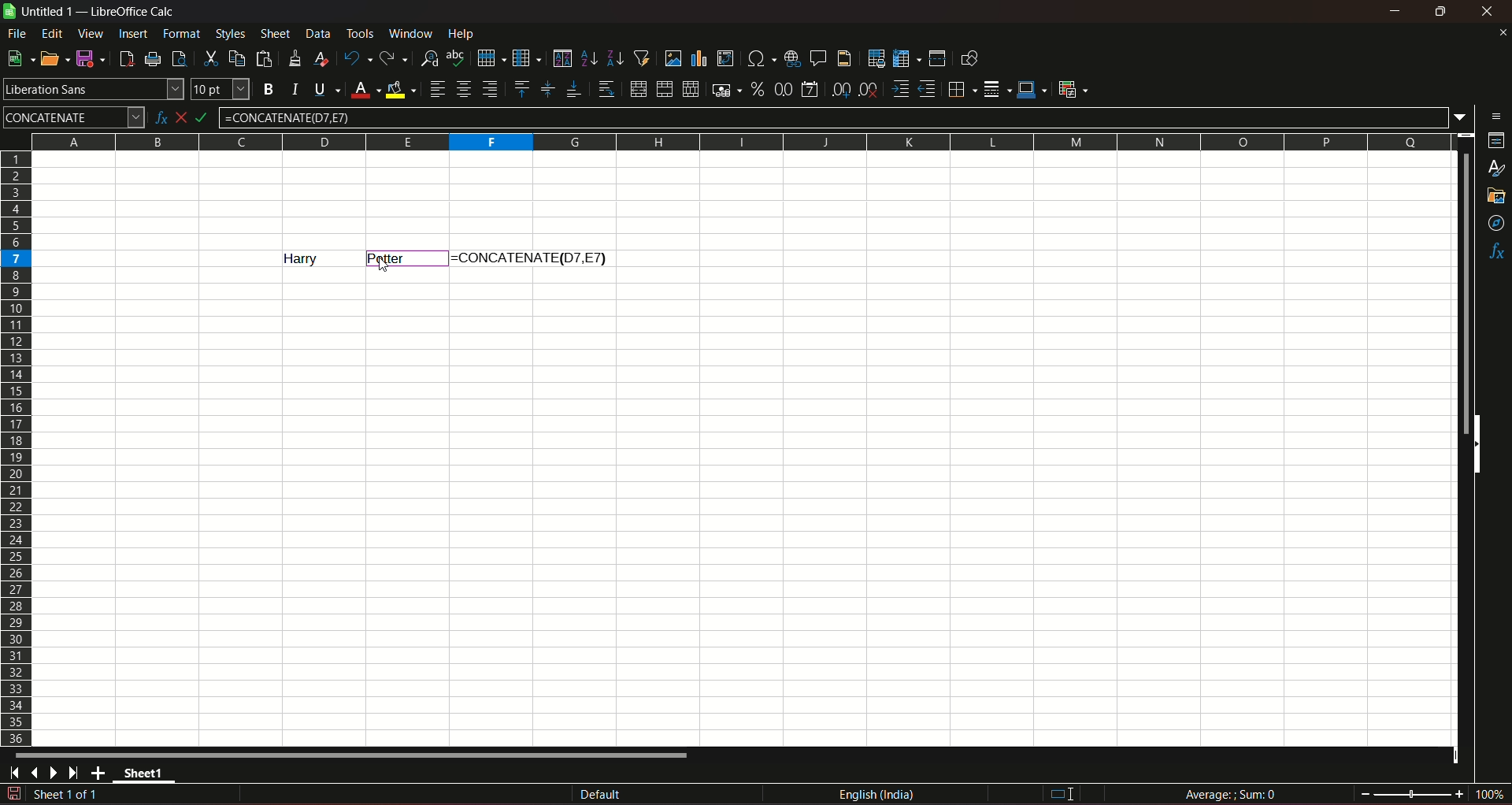  Describe the element at coordinates (53, 33) in the screenshot. I see `edit` at that location.